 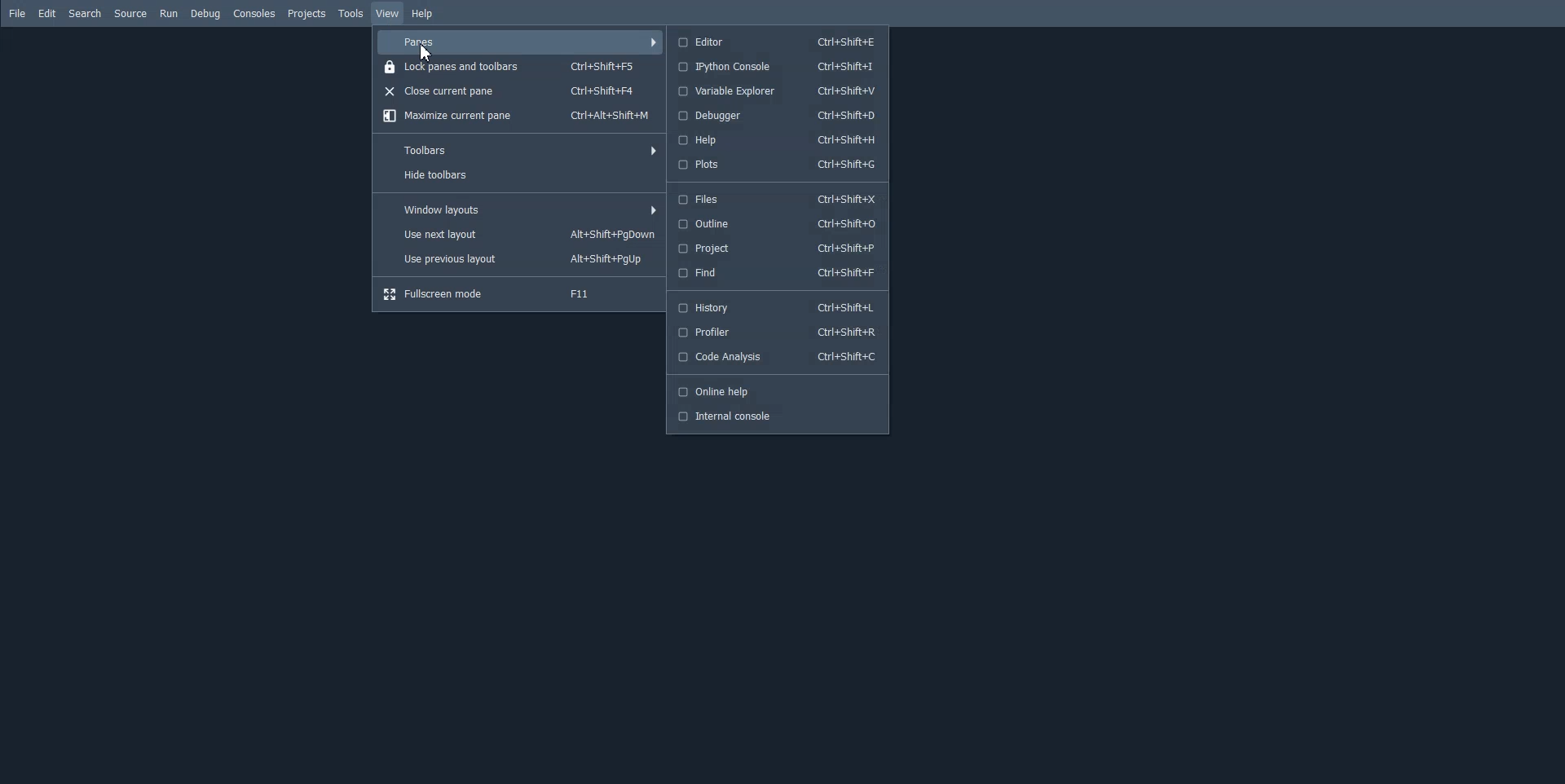 I want to click on Variable Explorer, so click(x=776, y=91).